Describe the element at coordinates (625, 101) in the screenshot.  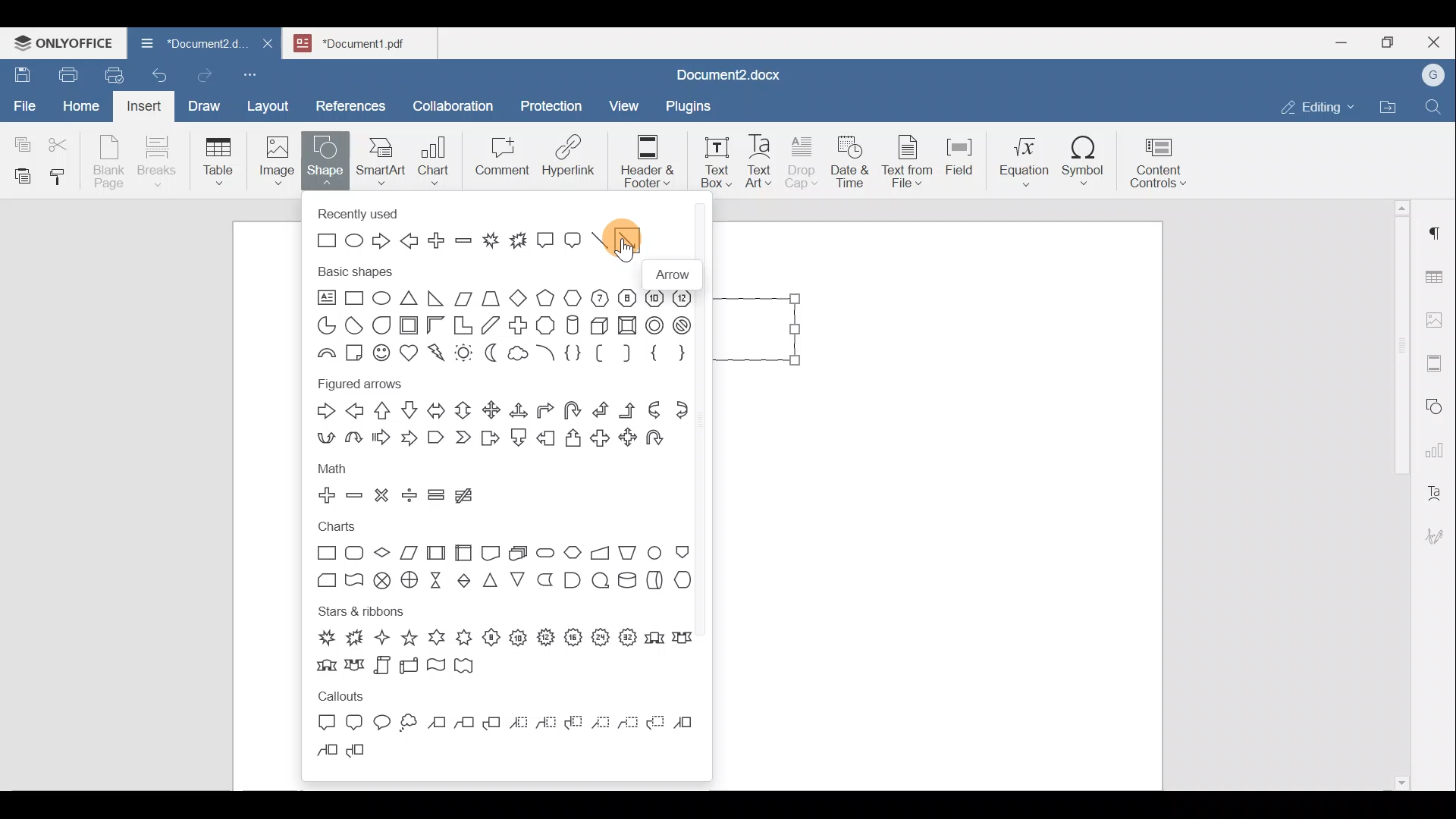
I see `View` at that location.